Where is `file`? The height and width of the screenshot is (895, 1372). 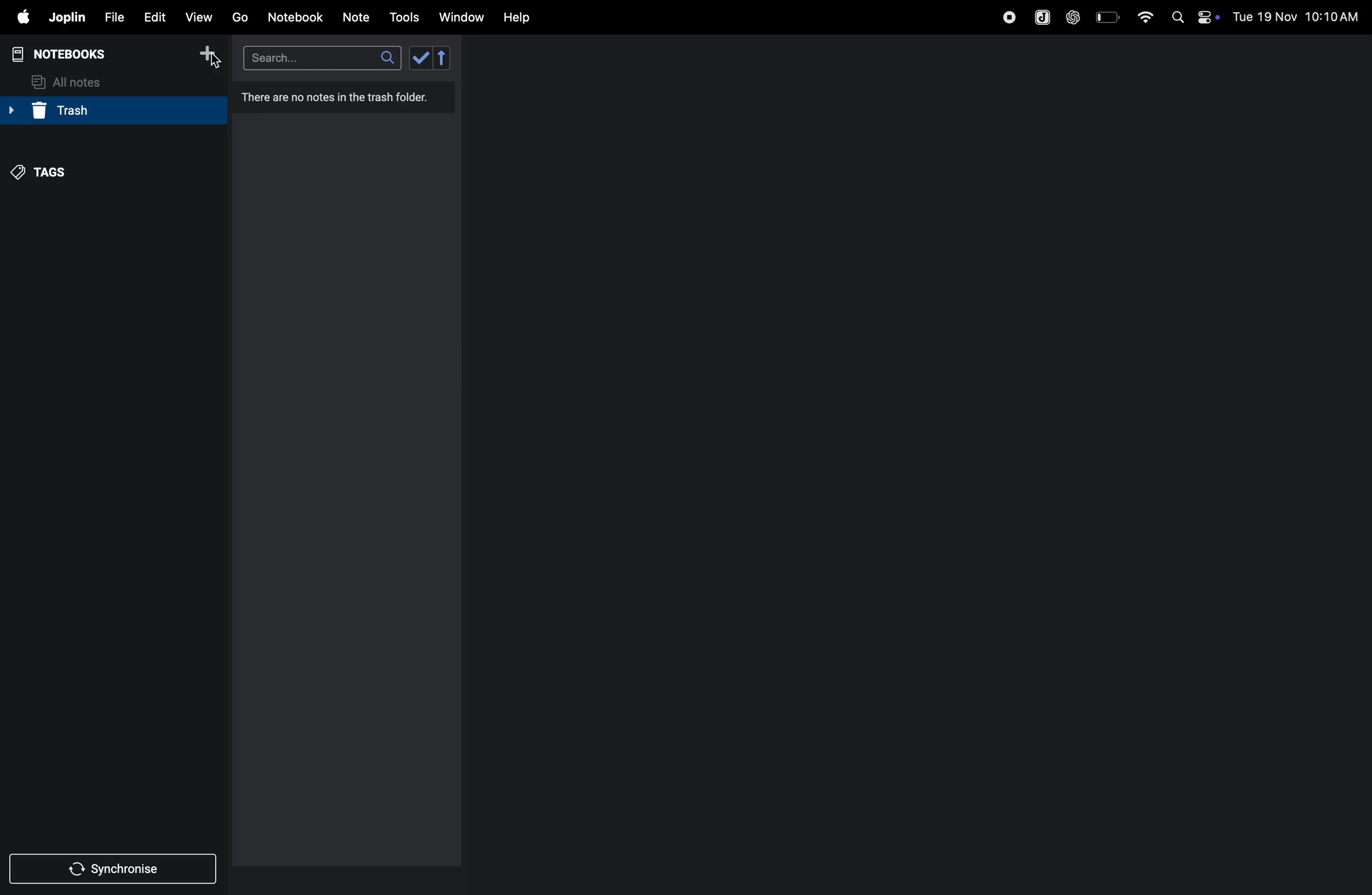
file is located at coordinates (114, 16).